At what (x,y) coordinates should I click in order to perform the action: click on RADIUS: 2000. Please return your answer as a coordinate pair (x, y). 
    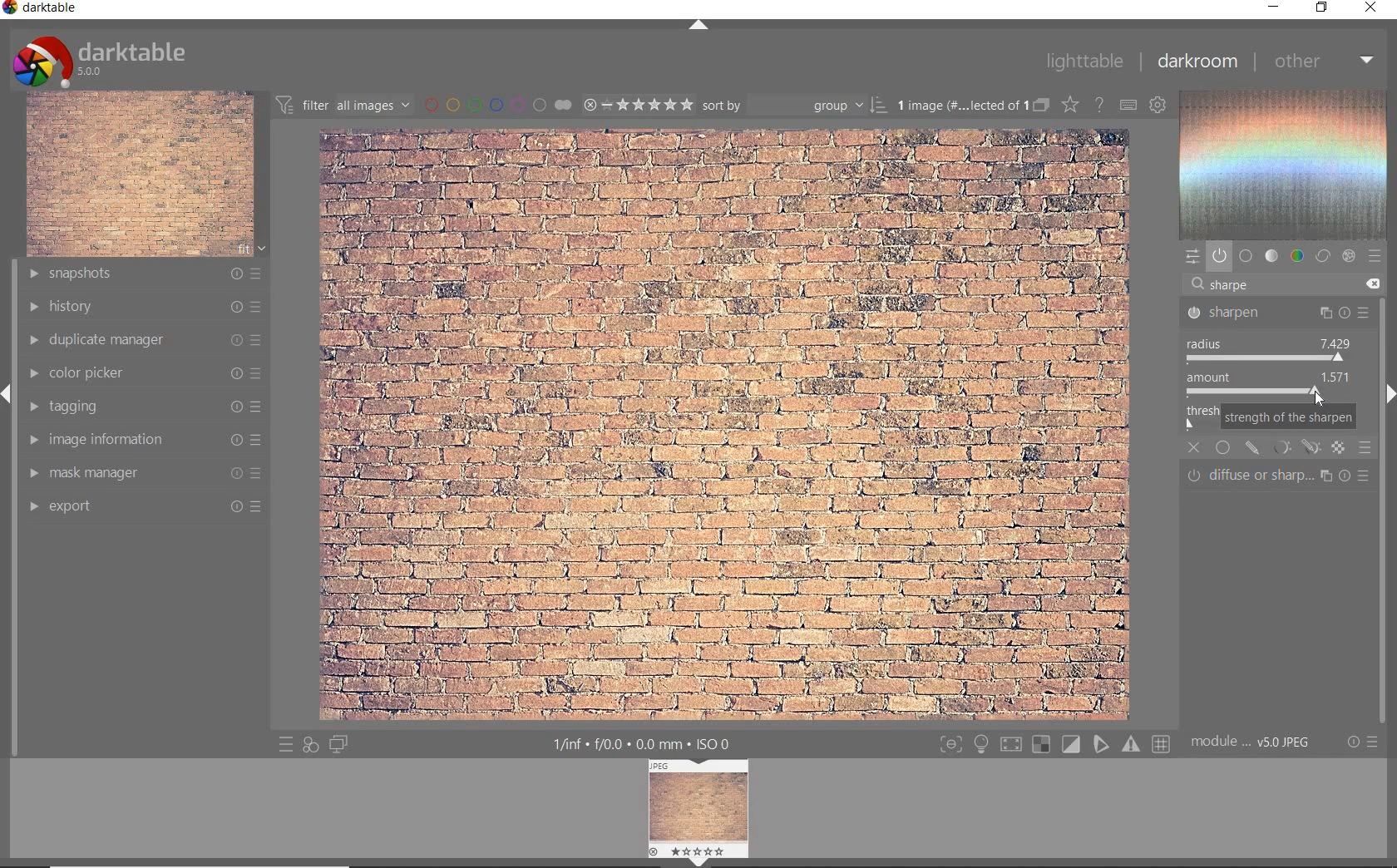
    Looking at the image, I should click on (1271, 349).